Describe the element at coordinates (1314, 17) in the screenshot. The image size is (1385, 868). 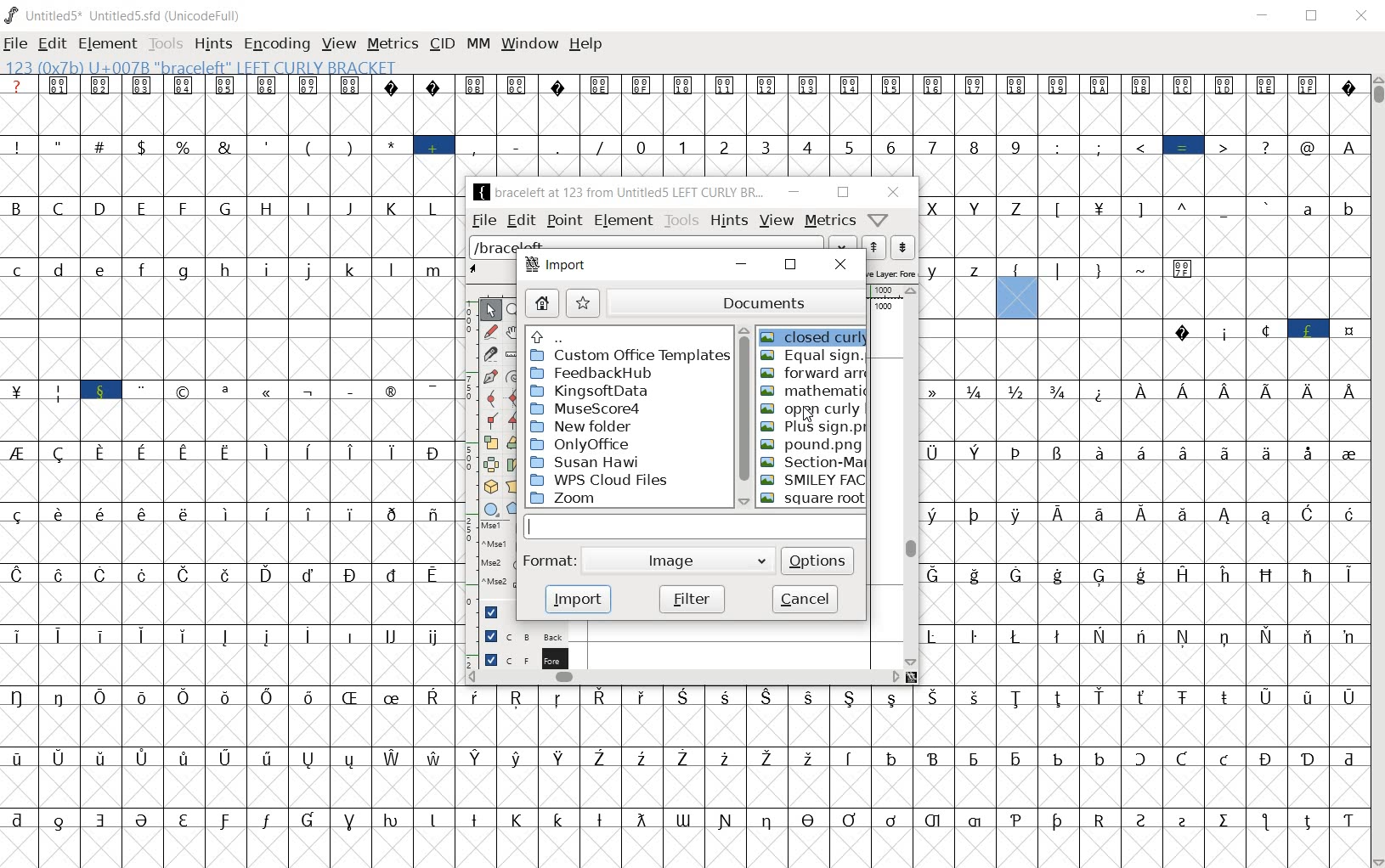
I see `restore down` at that location.